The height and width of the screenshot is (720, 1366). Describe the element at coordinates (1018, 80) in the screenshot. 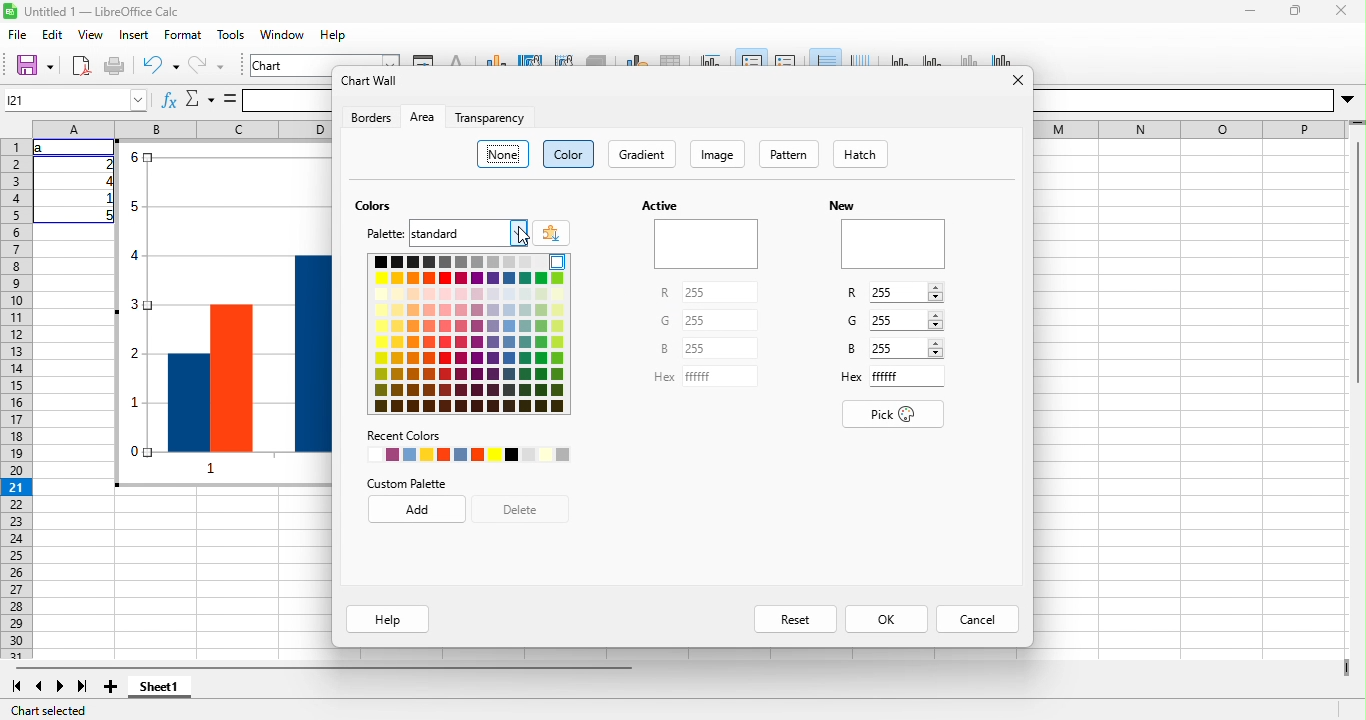

I see `close` at that location.